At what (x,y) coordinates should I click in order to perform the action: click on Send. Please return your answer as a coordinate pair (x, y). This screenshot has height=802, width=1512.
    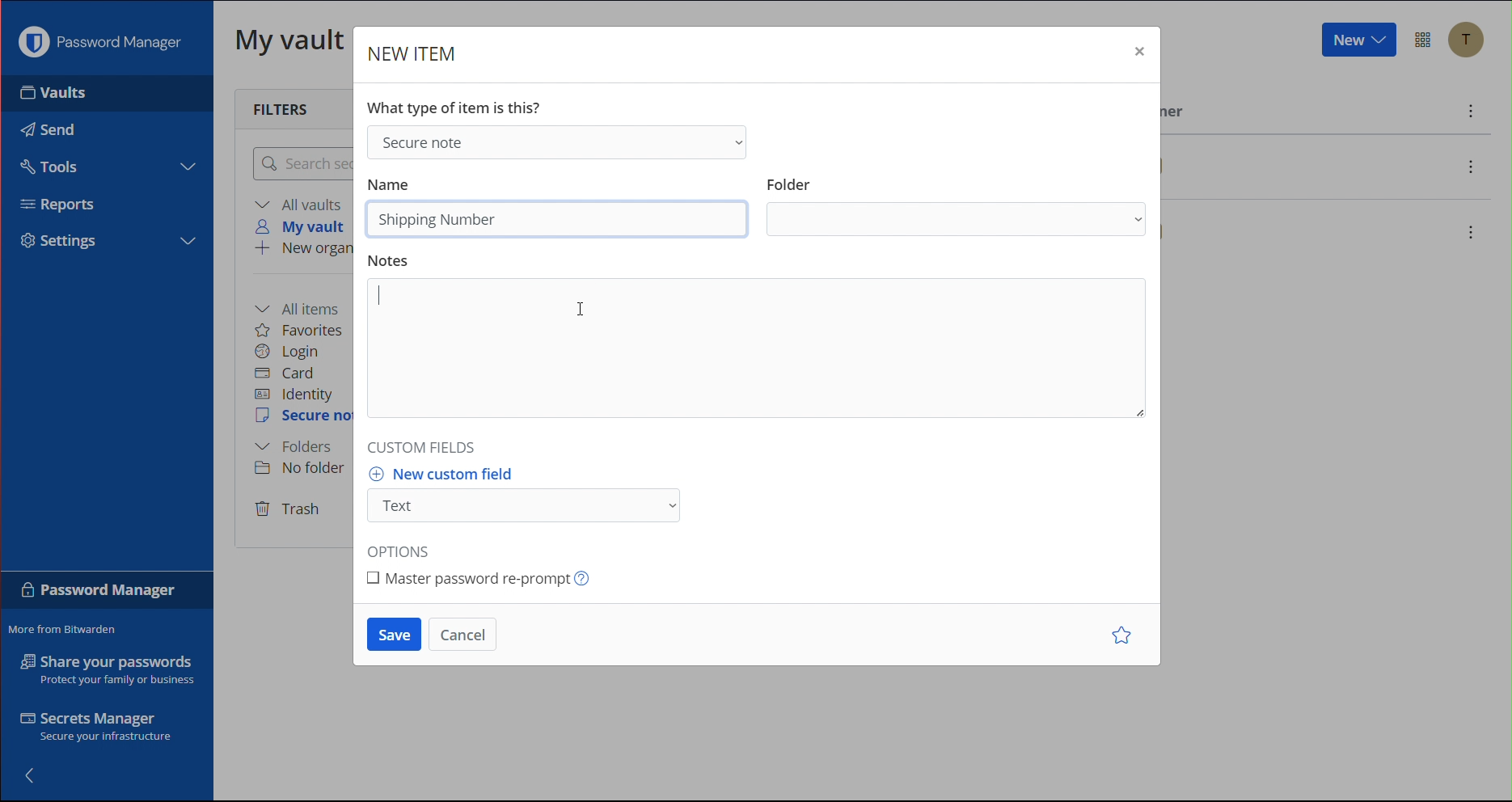
    Looking at the image, I should click on (48, 129).